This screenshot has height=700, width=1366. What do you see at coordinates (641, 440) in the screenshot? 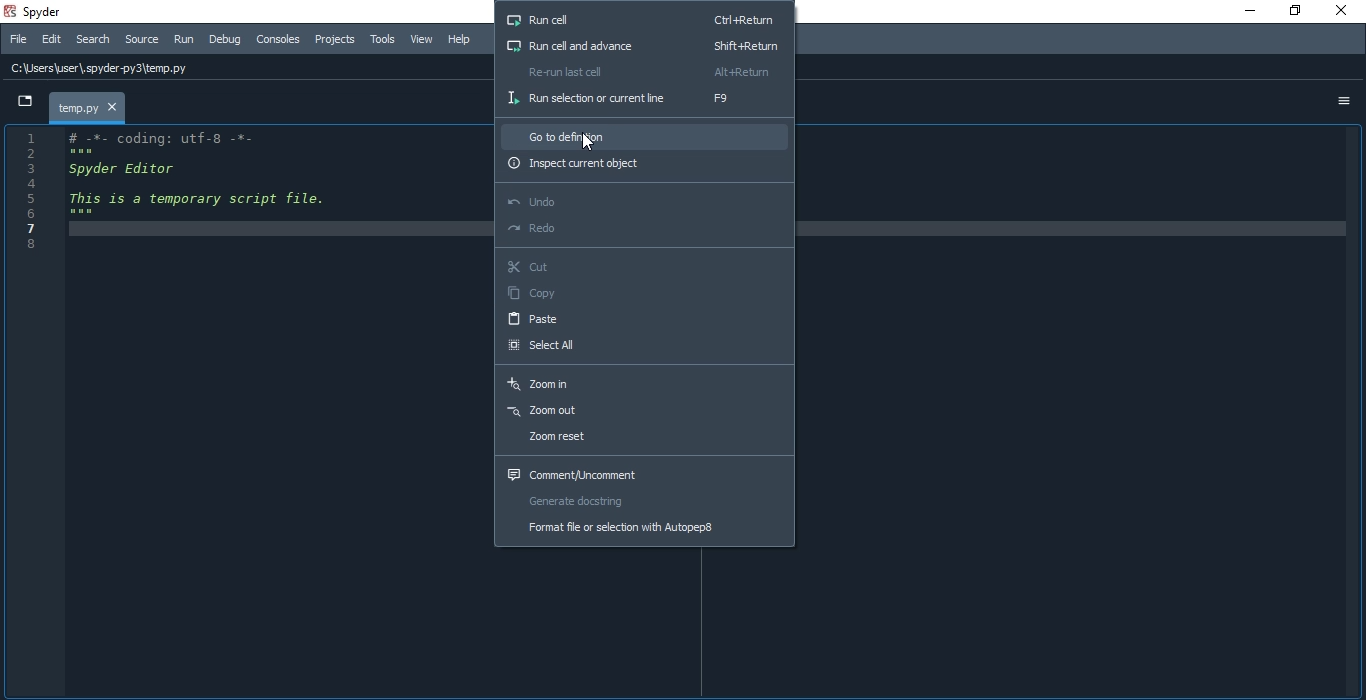
I see `Zoom reset` at bounding box center [641, 440].